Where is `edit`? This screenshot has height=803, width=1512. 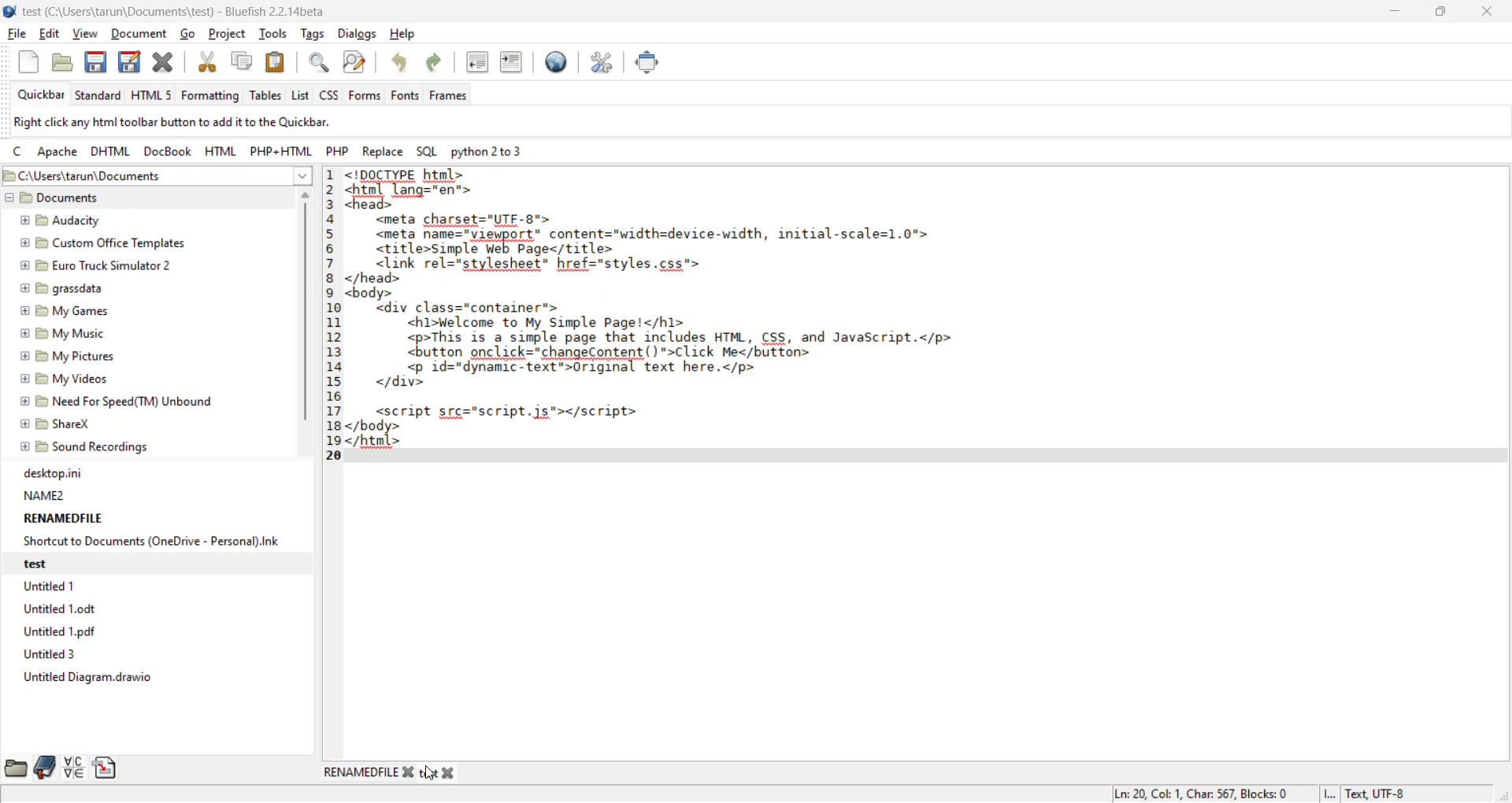
edit is located at coordinates (51, 35).